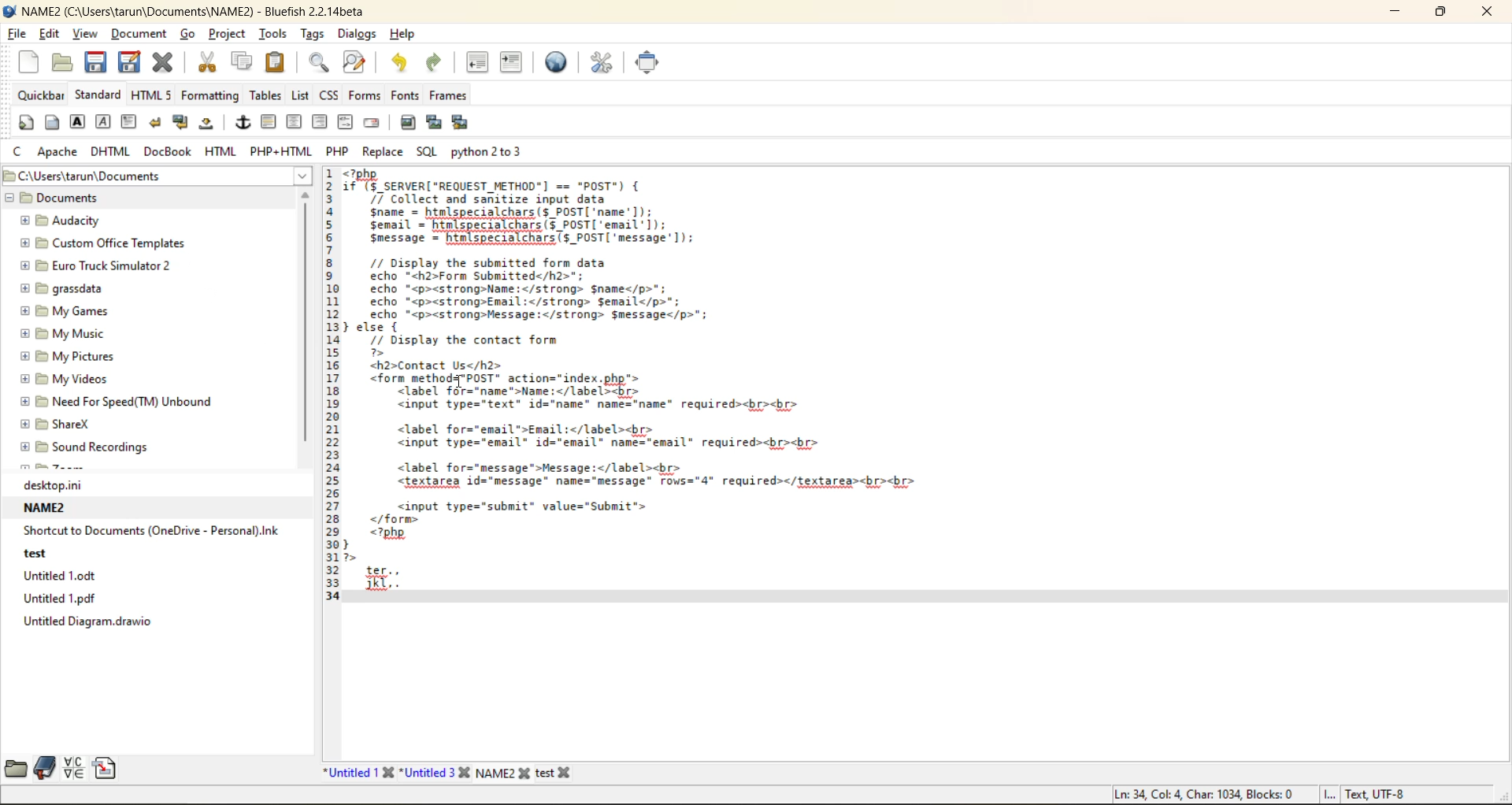 The height and width of the screenshot is (805, 1512). Describe the element at coordinates (52, 35) in the screenshot. I see `edit` at that location.